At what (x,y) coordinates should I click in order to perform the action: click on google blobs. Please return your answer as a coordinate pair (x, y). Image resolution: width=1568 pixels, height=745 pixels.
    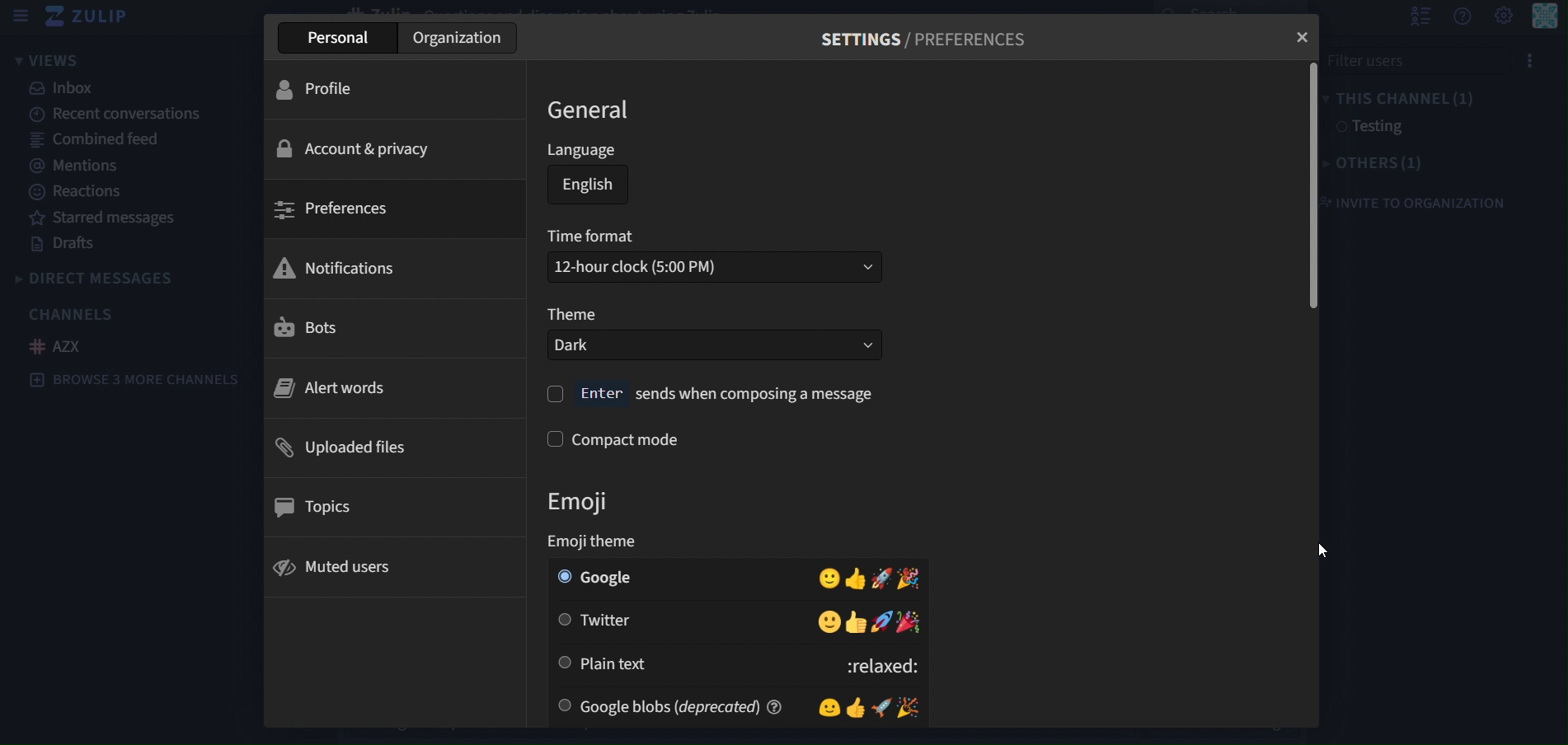
    Looking at the image, I should click on (675, 705).